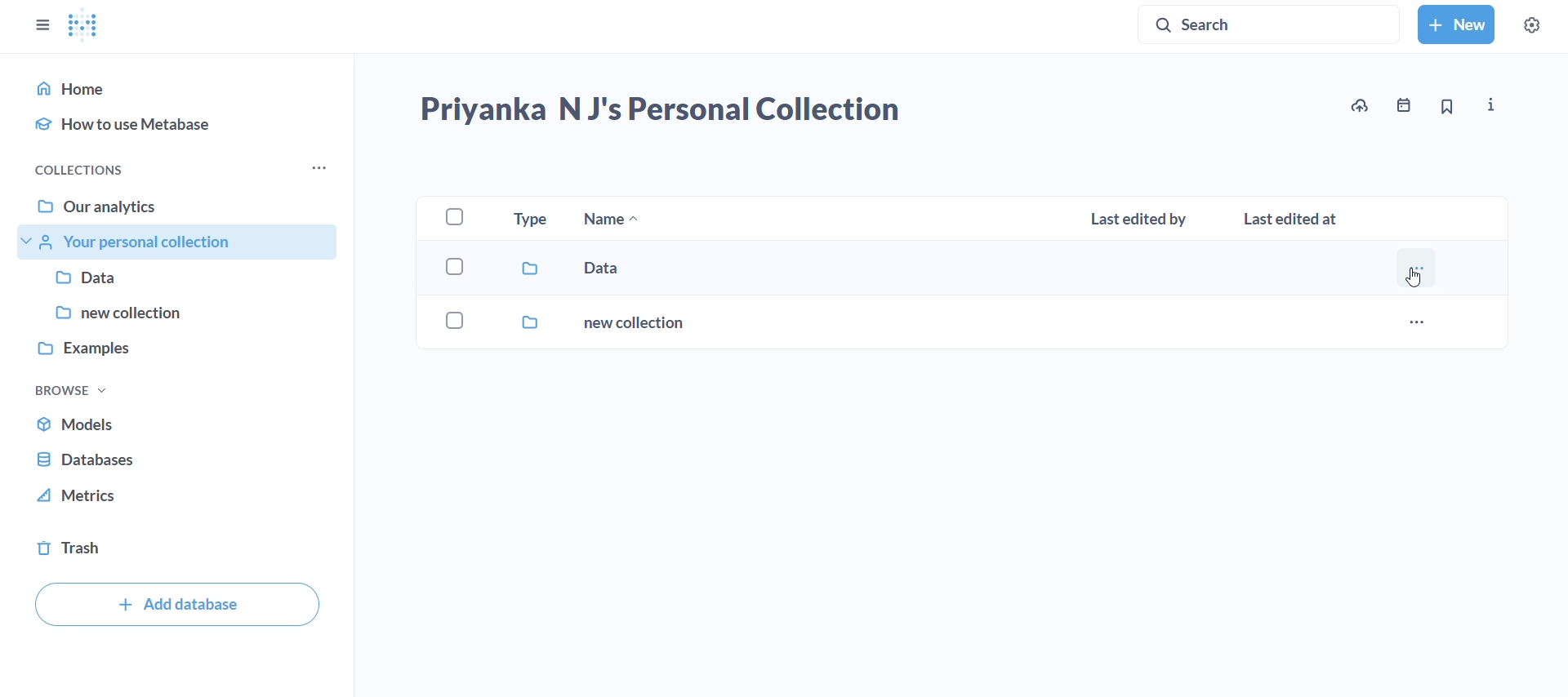 The image size is (1568, 697). I want to click on database, so click(184, 460).